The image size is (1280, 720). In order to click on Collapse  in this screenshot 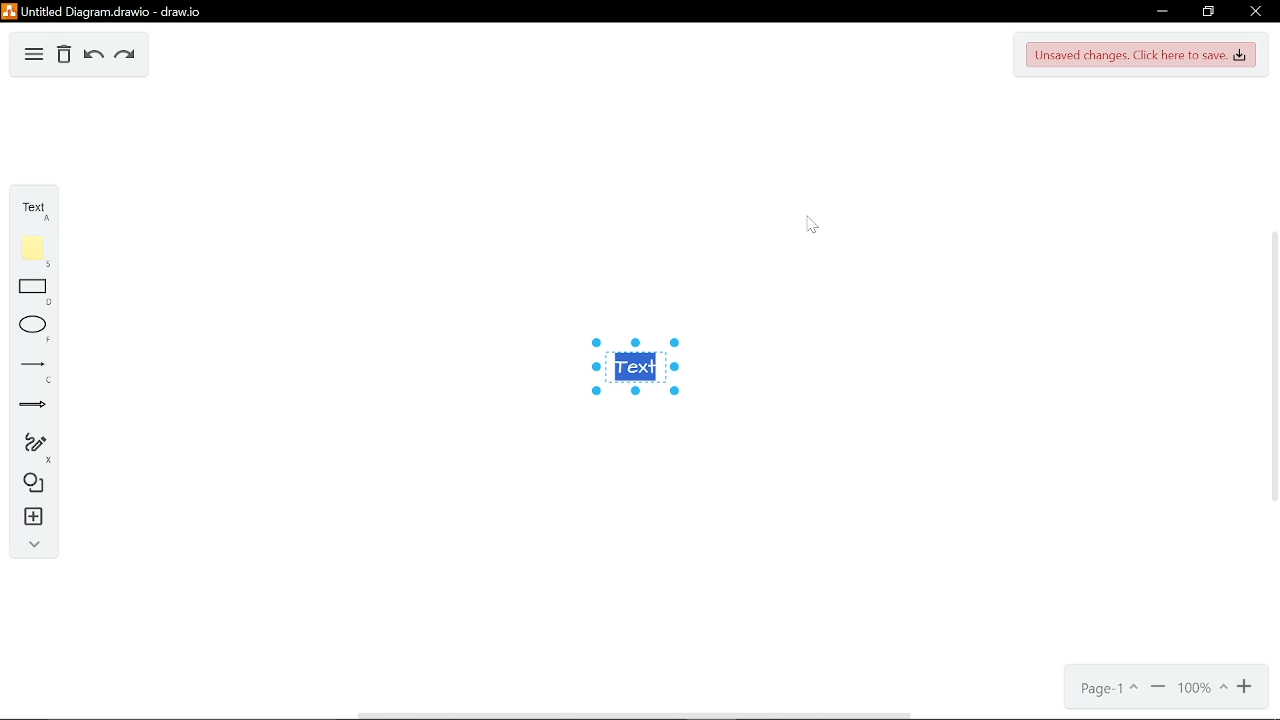, I will do `click(30, 547)`.